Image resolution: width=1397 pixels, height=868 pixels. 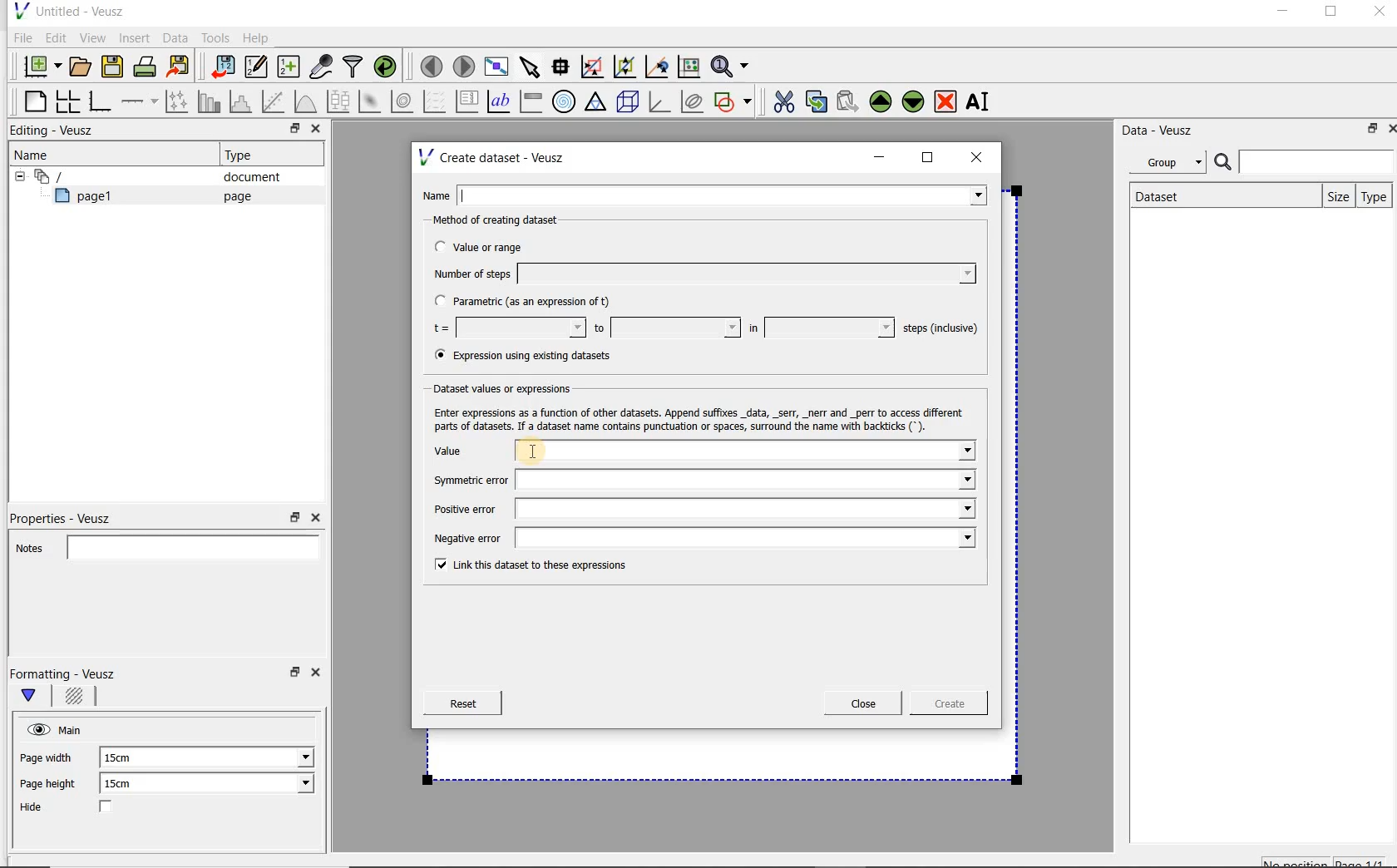 What do you see at coordinates (162, 545) in the screenshot?
I see `Notes` at bounding box center [162, 545].